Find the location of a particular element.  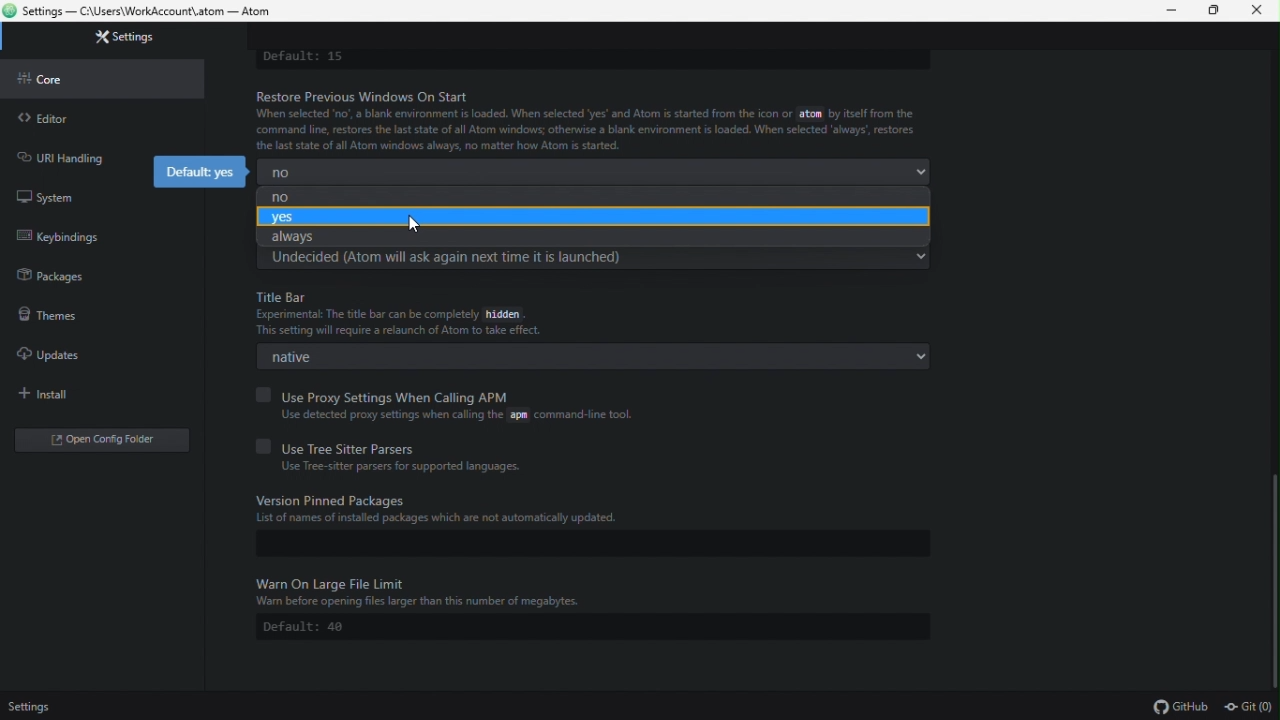

settings is located at coordinates (113, 41).